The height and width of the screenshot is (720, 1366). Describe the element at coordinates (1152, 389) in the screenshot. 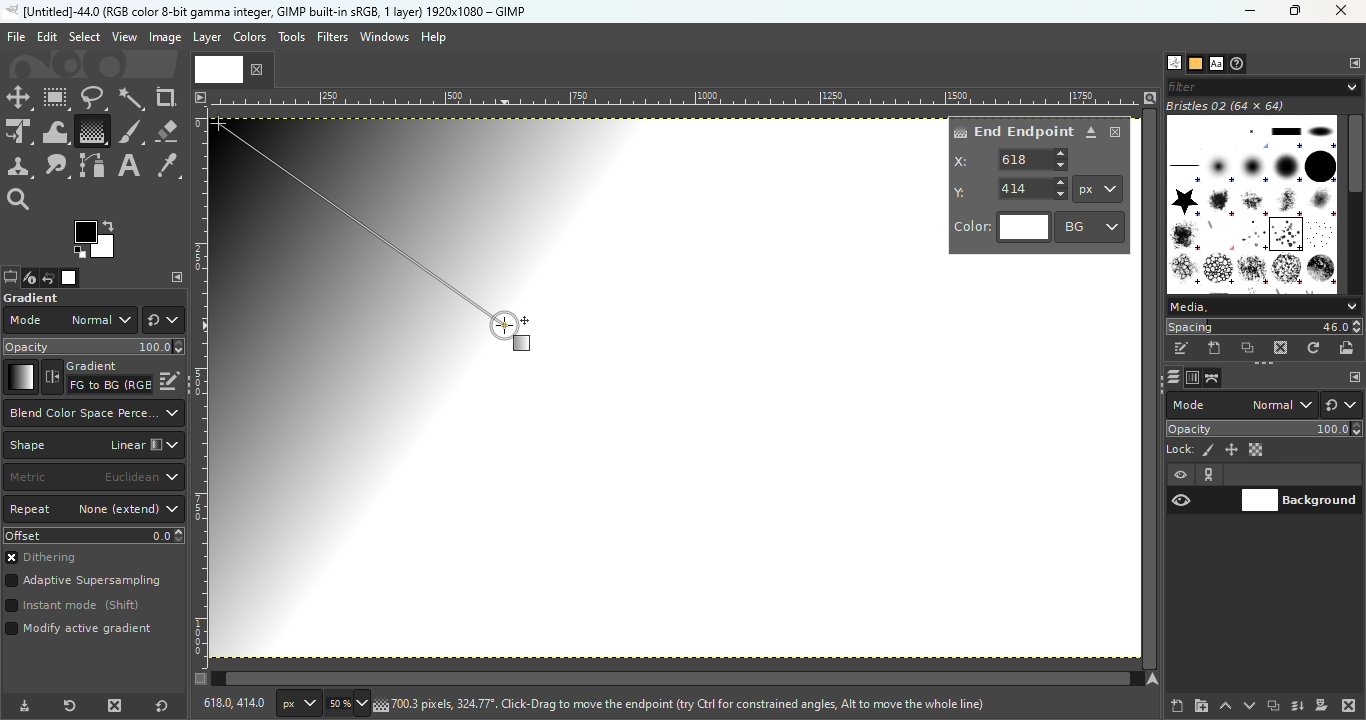

I see `Horizontal scroll bar` at that location.